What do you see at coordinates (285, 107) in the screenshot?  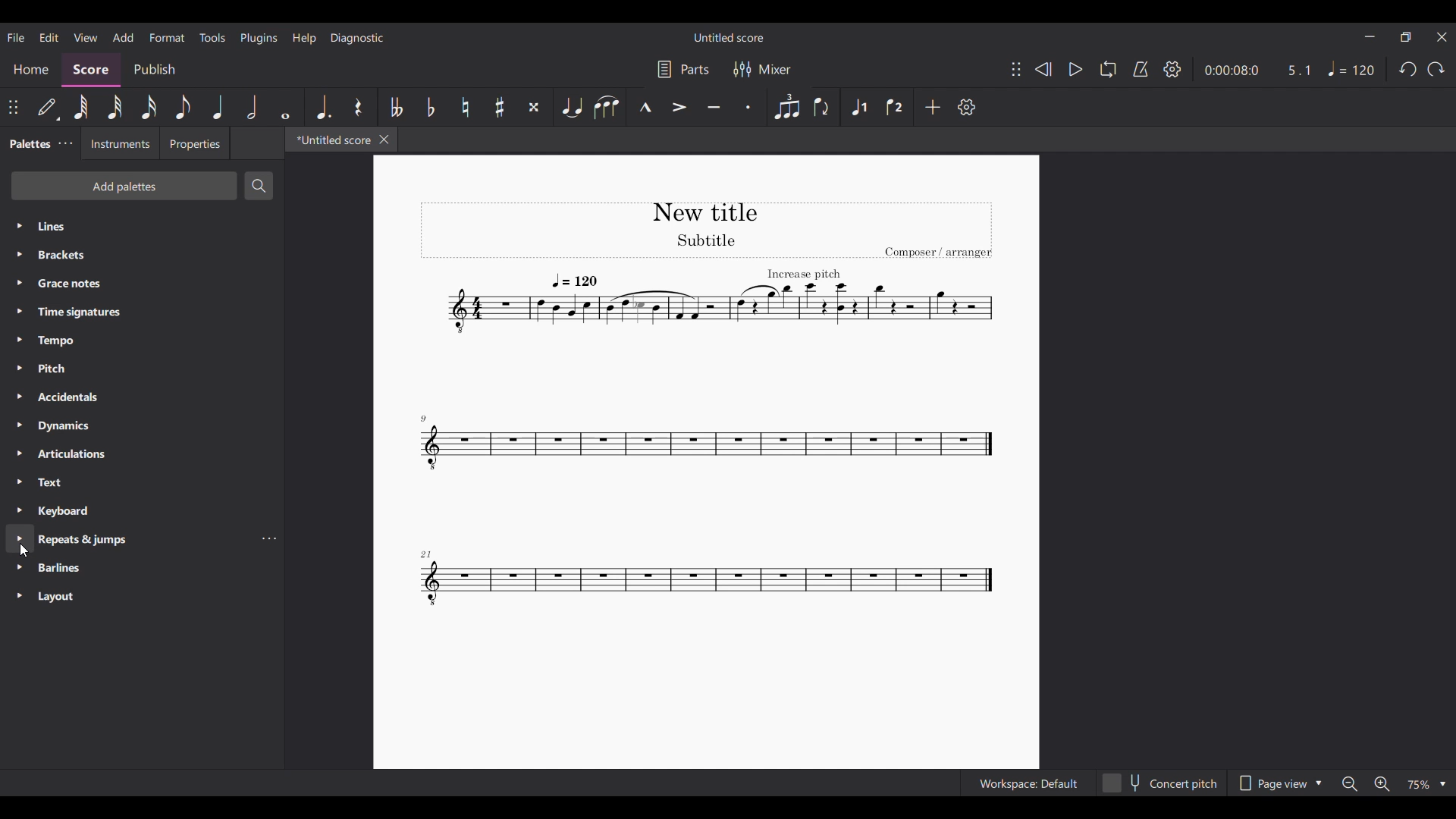 I see `Whole note` at bounding box center [285, 107].